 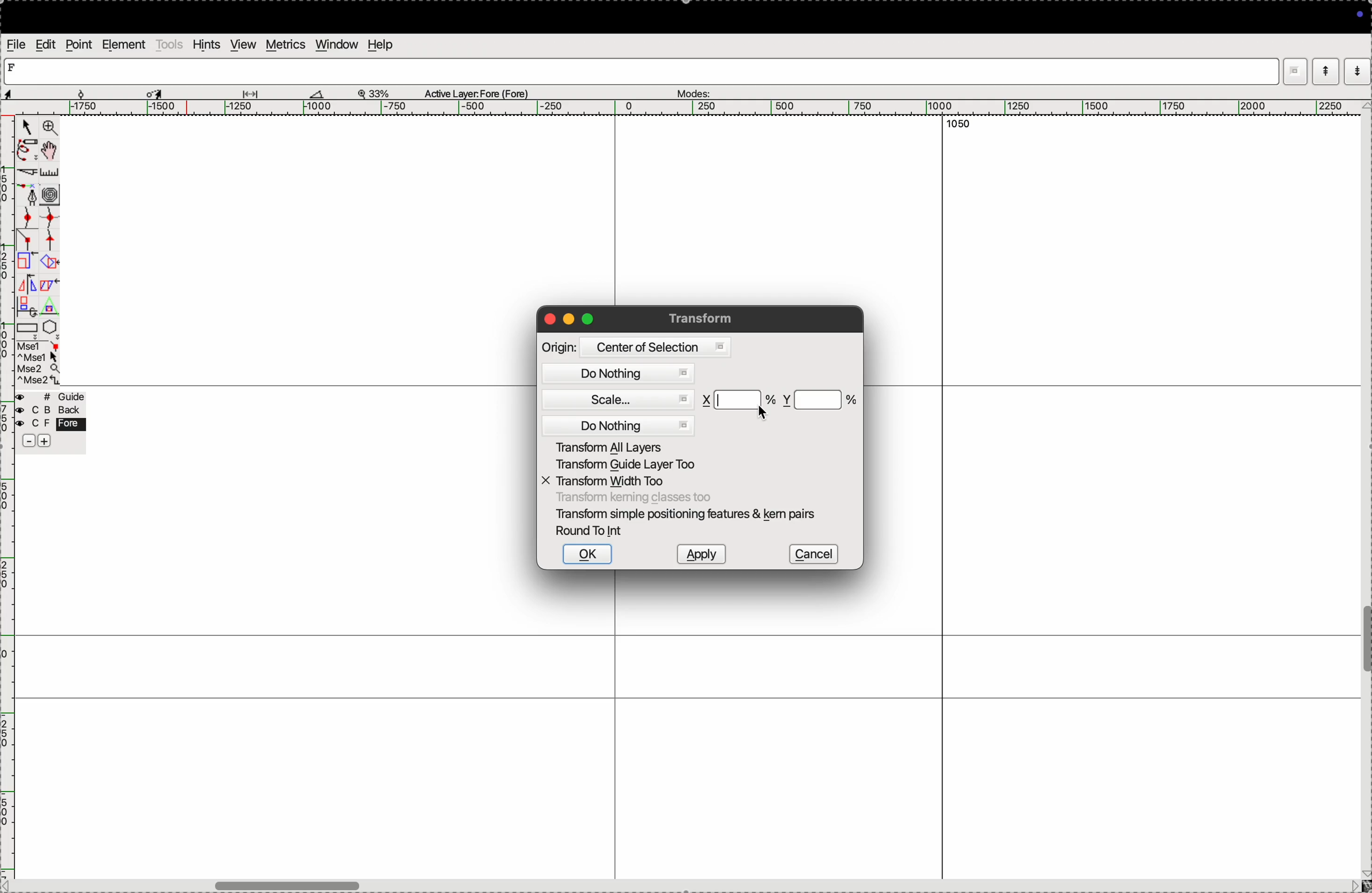 What do you see at coordinates (27, 264) in the screenshot?
I see `Scale the selection` at bounding box center [27, 264].